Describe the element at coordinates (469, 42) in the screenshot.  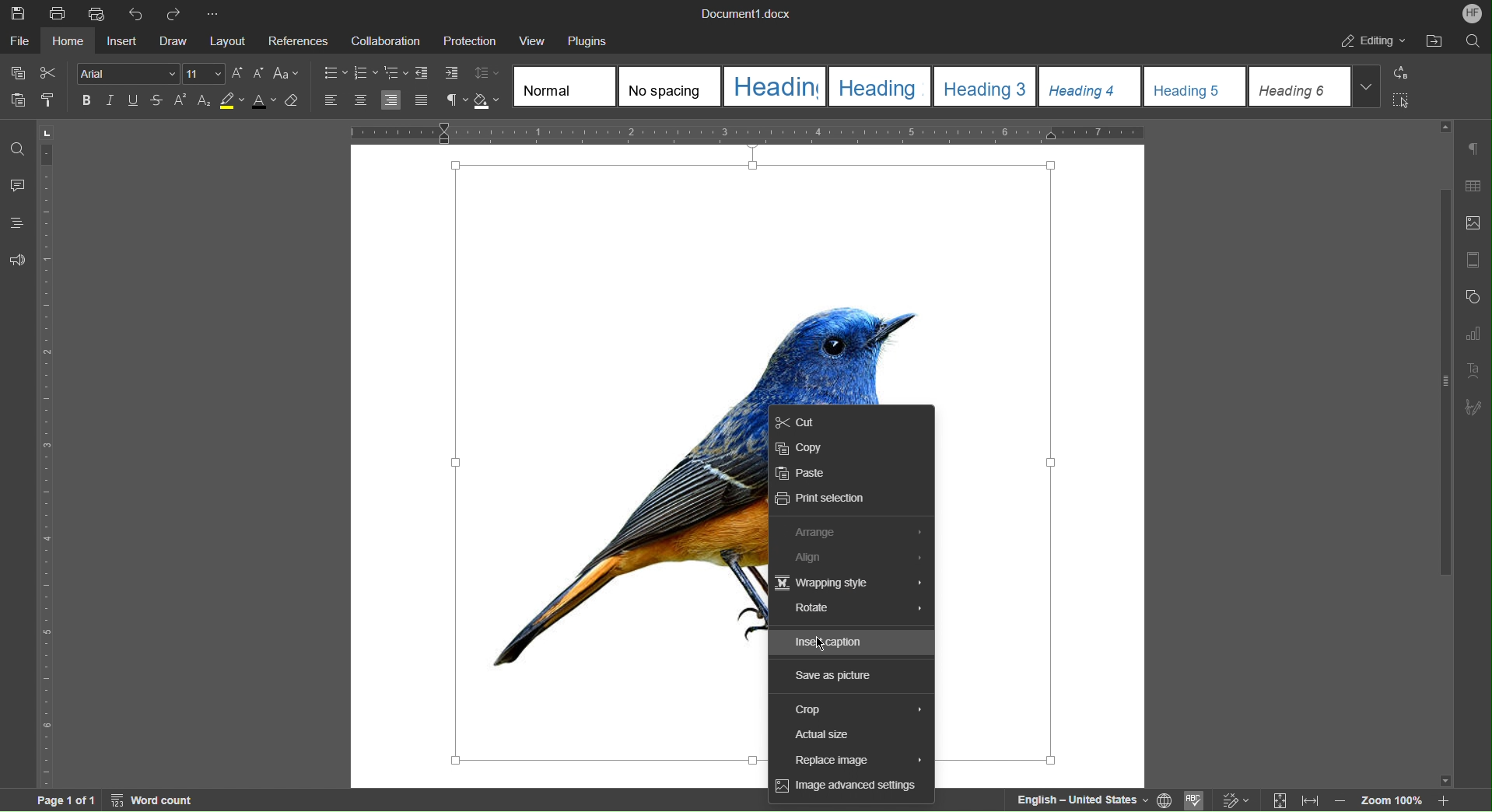
I see `Protection` at that location.